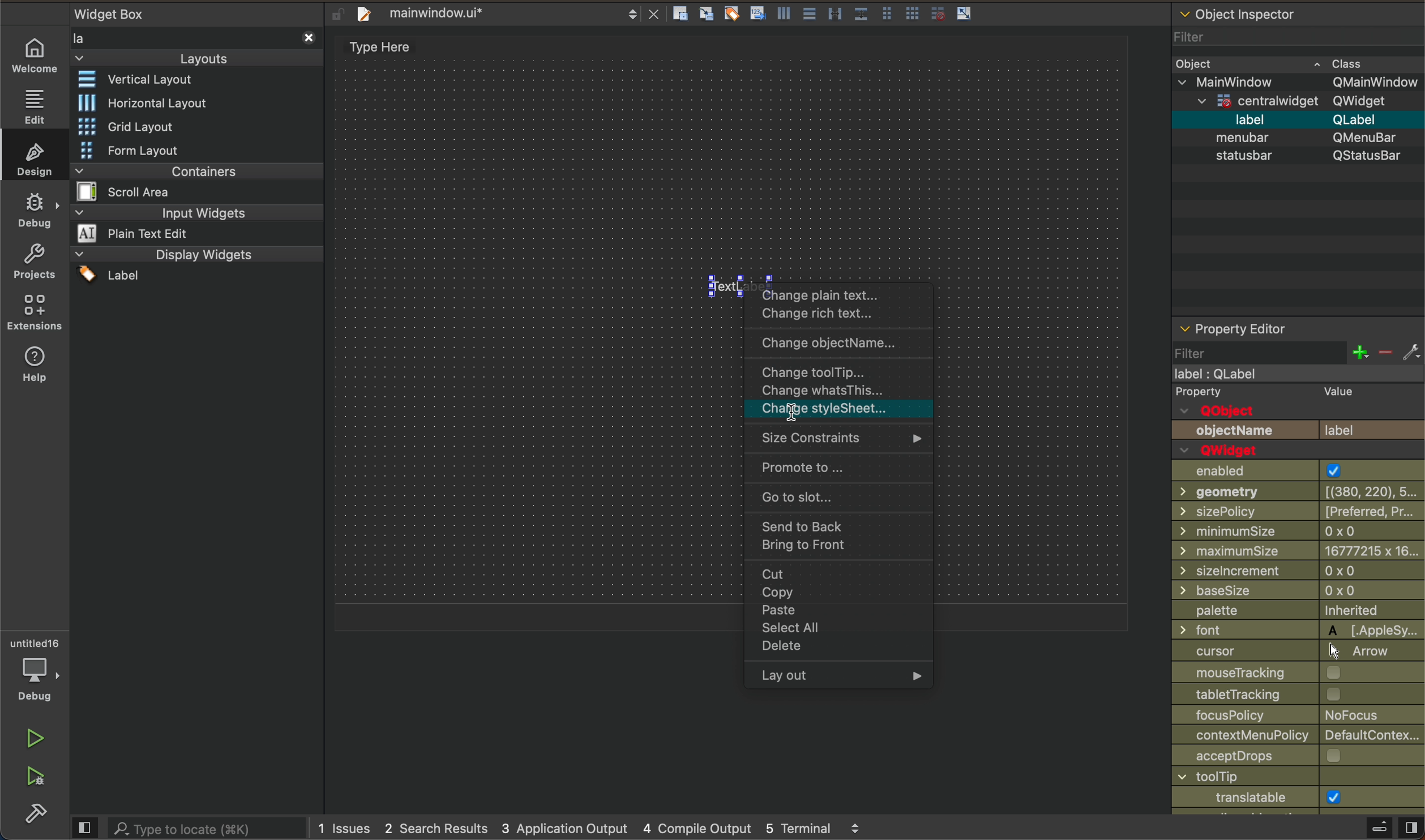 The image size is (1425, 840). Describe the element at coordinates (1281, 64) in the screenshot. I see `object` at that location.